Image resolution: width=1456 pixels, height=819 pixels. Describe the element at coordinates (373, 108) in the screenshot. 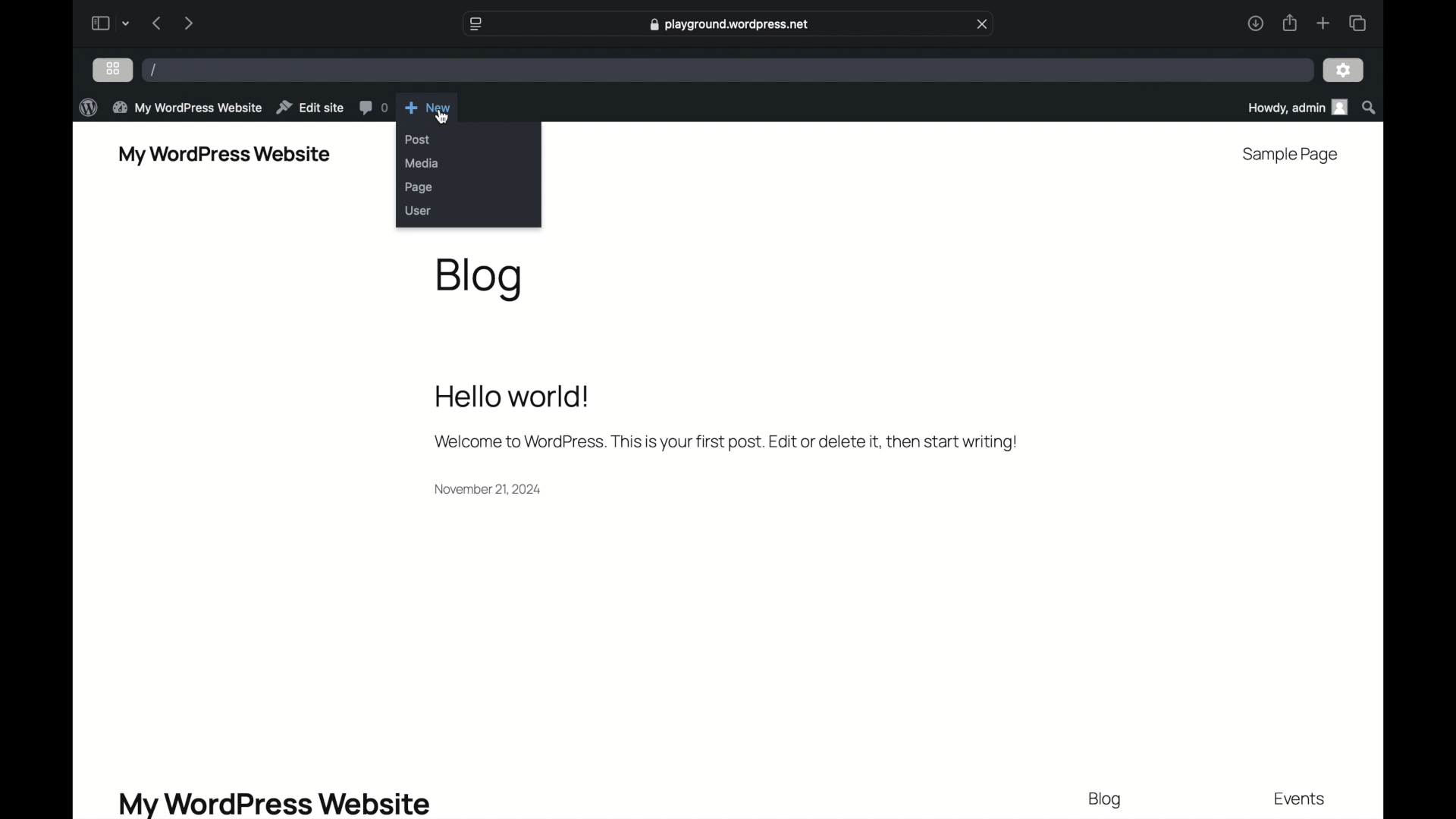

I see `comments` at that location.